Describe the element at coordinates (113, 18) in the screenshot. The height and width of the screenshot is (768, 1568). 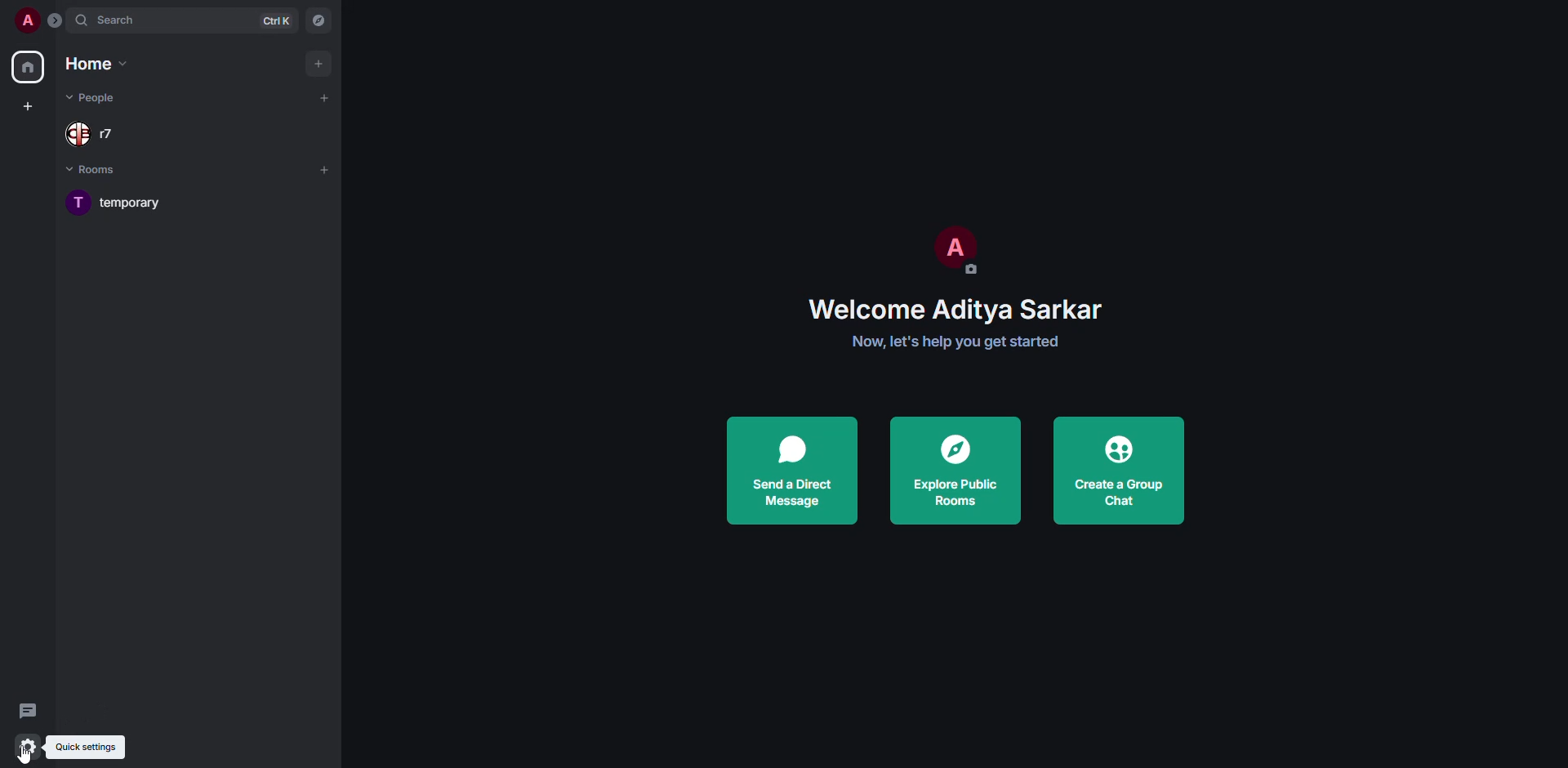
I see `search` at that location.